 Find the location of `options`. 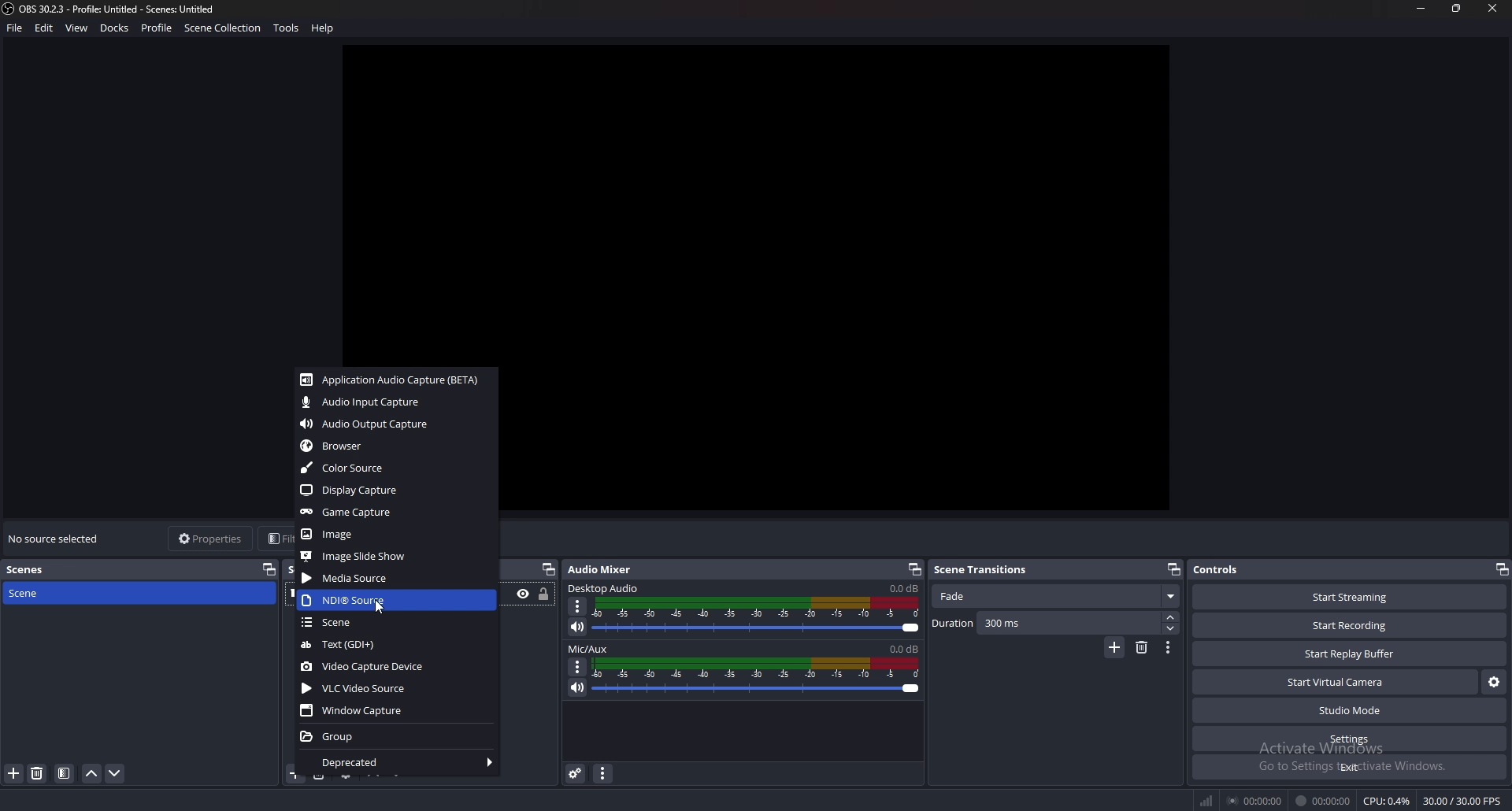

options is located at coordinates (579, 668).